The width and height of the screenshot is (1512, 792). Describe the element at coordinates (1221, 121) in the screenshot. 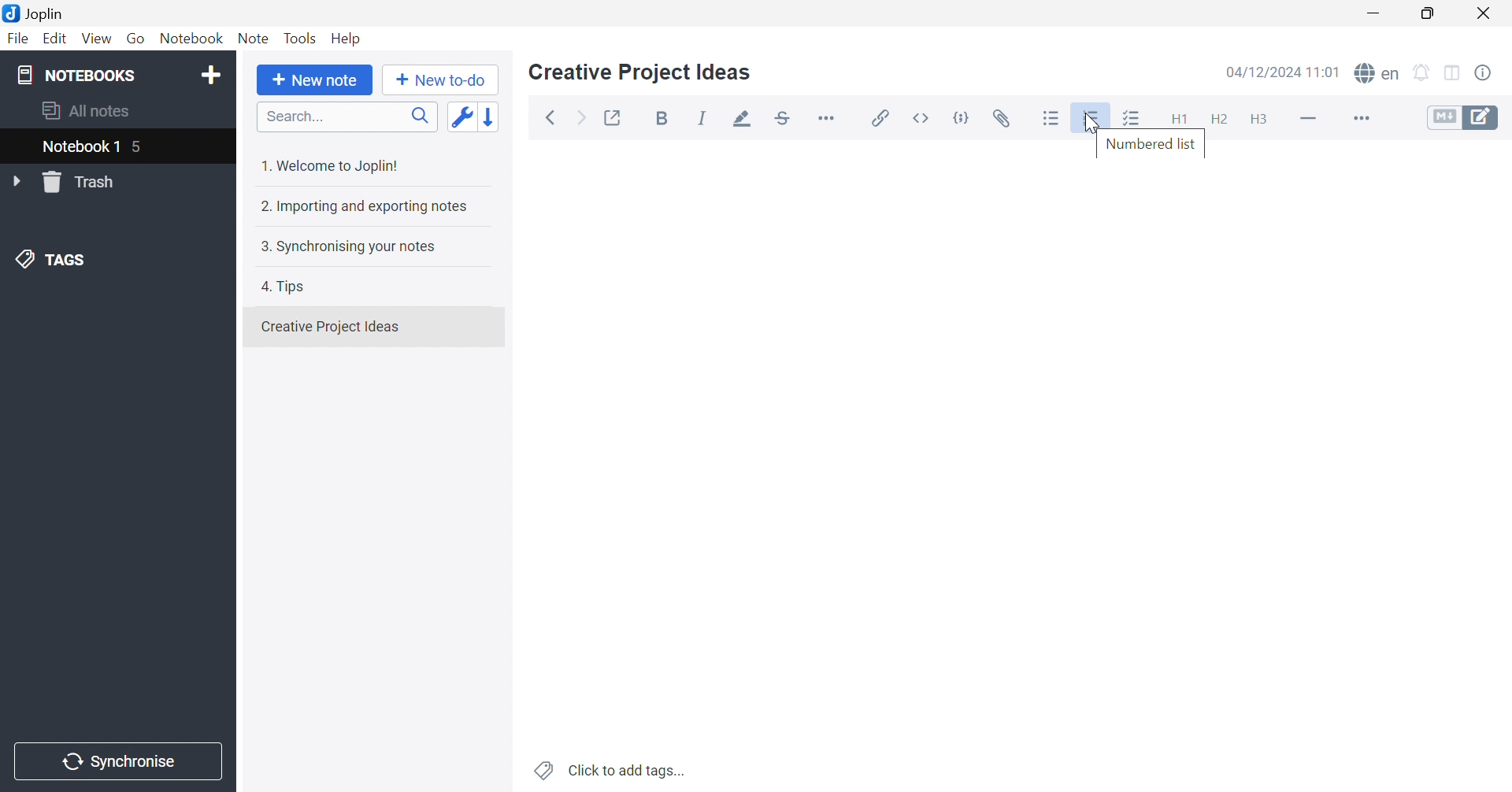

I see `Heading 2` at that location.